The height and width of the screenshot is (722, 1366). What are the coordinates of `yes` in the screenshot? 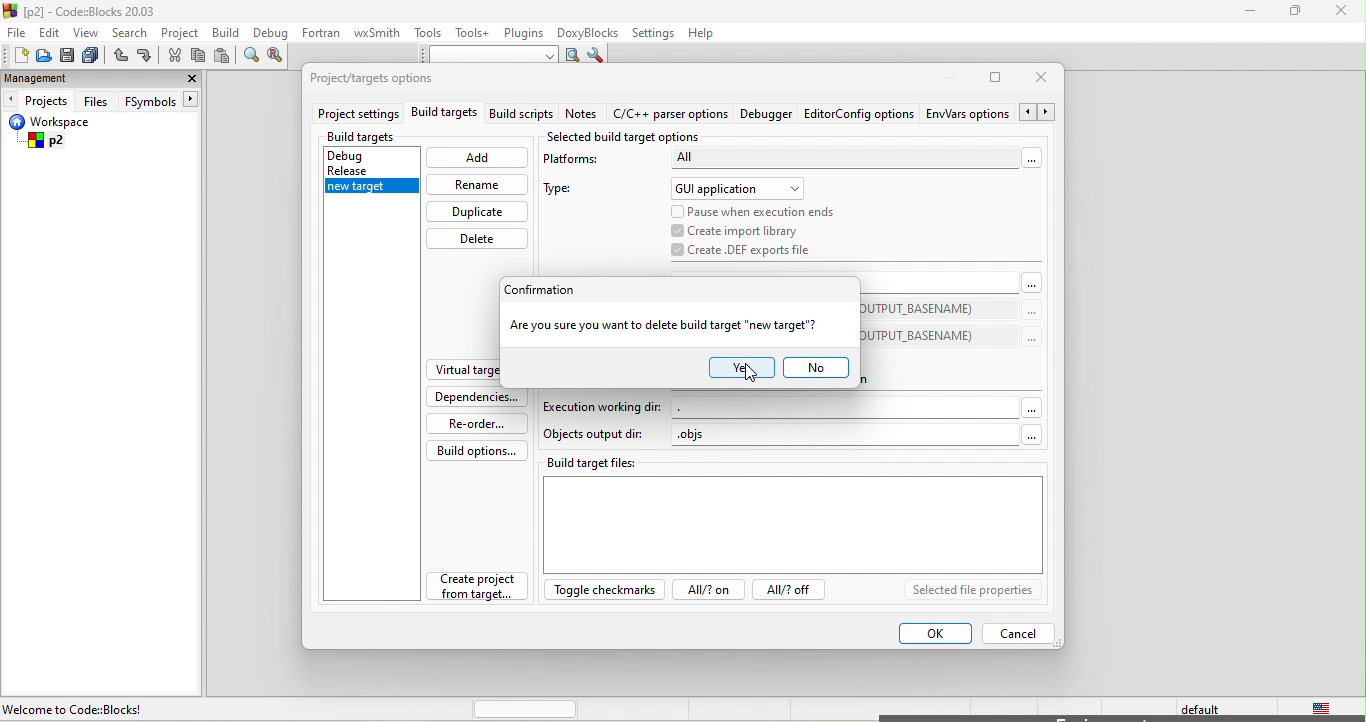 It's located at (736, 369).